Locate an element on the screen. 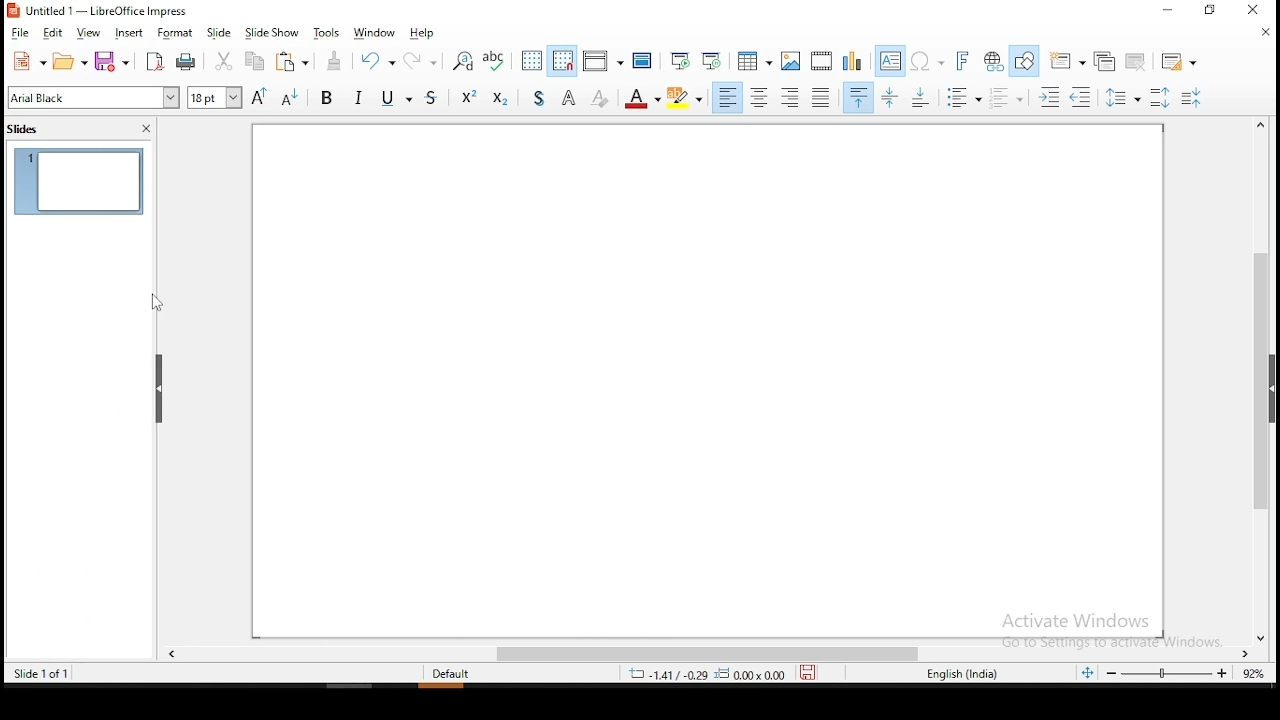 The width and height of the screenshot is (1280, 720). charts is located at coordinates (852, 61).